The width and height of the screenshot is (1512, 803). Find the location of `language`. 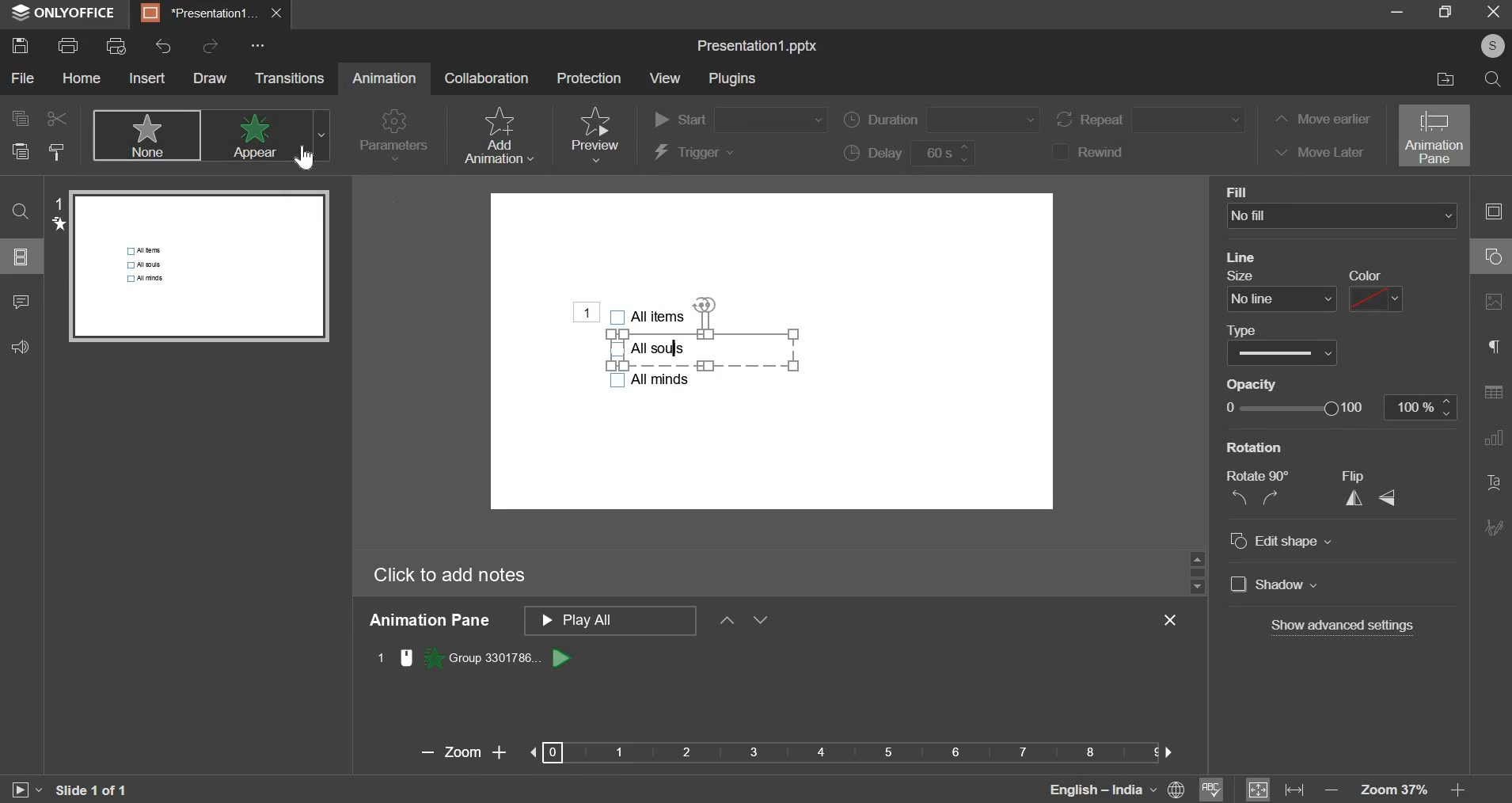

language is located at coordinates (1084, 788).